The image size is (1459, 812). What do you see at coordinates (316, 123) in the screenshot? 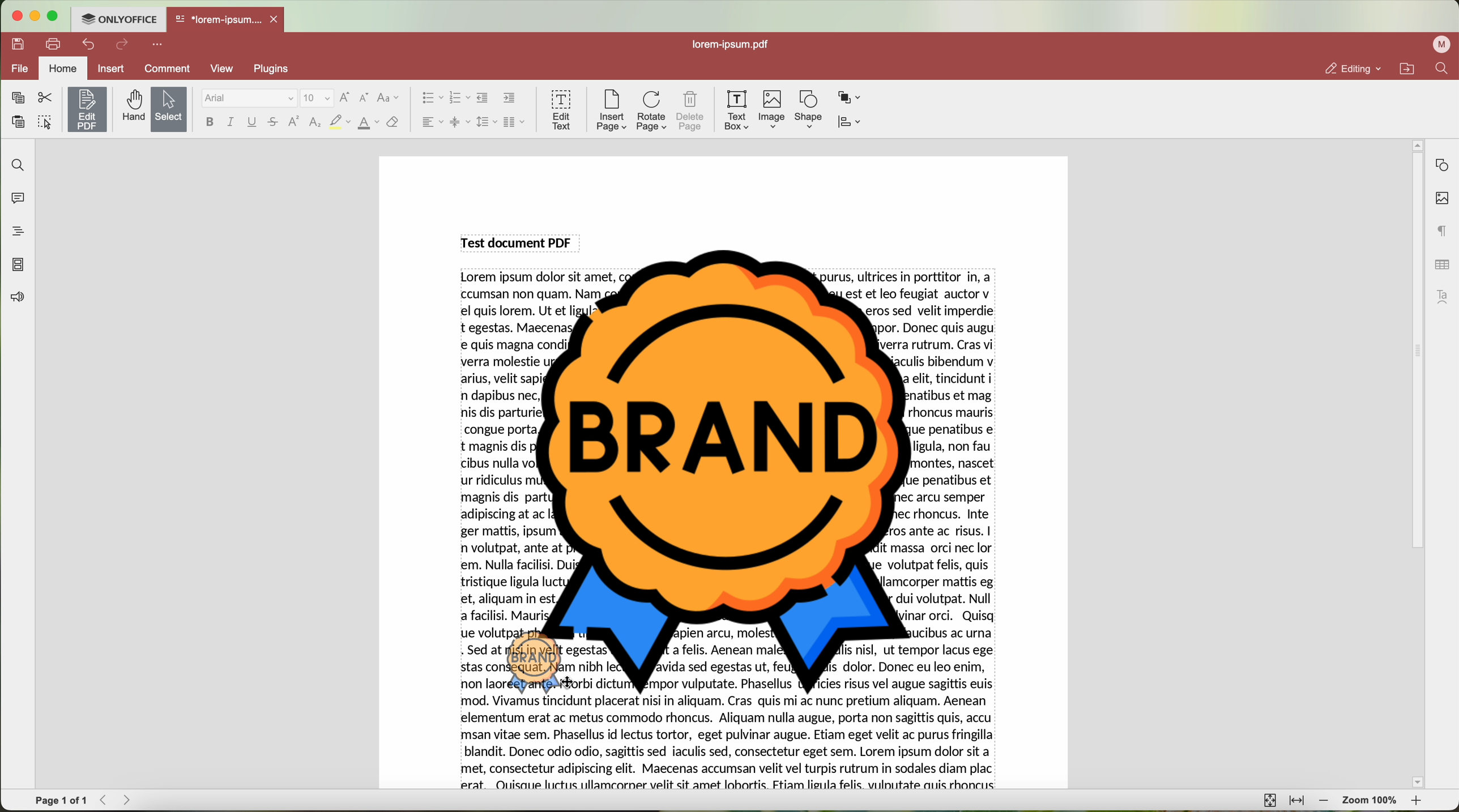
I see `subscript` at bounding box center [316, 123].